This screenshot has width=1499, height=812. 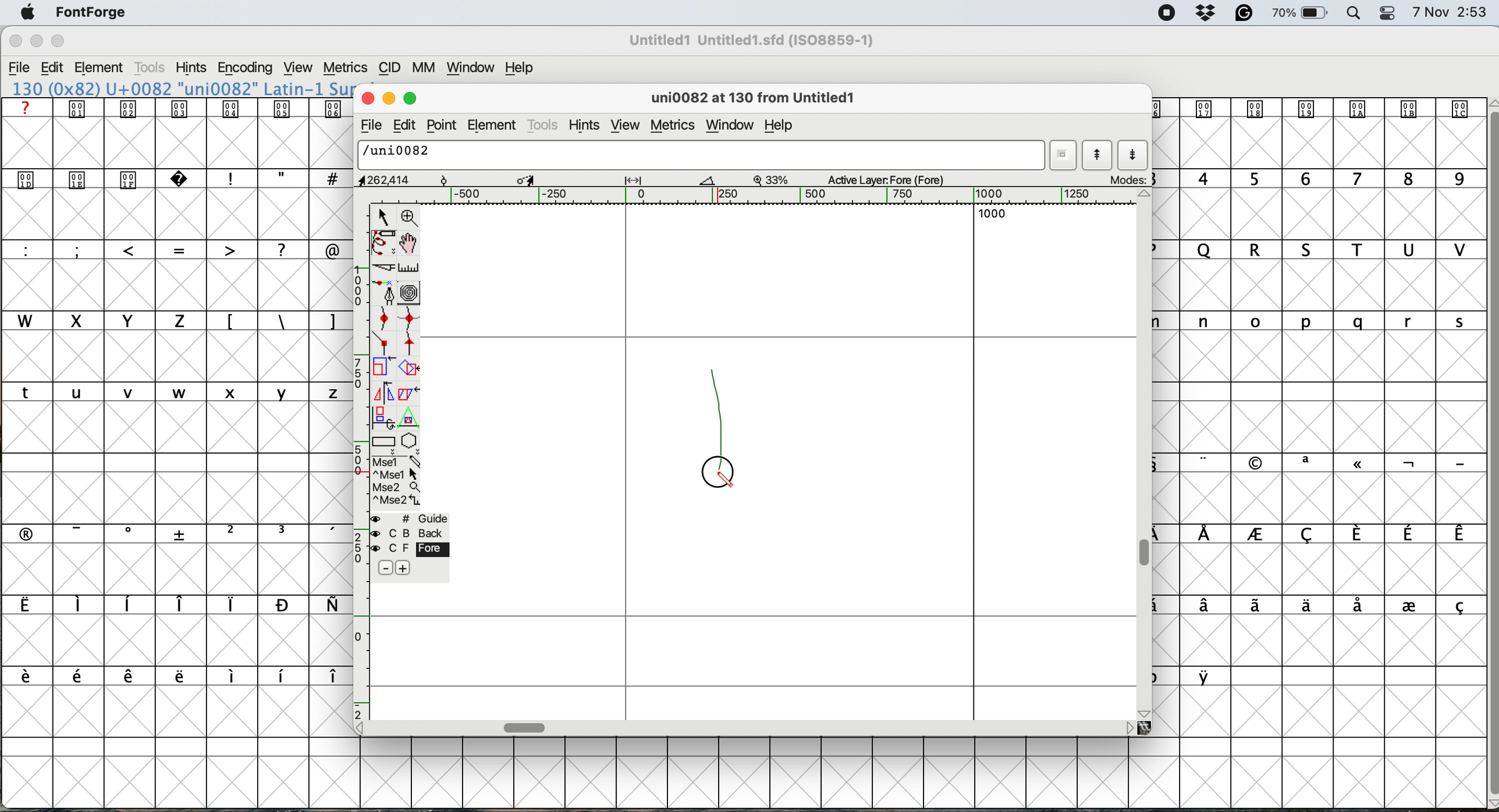 I want to click on battery, so click(x=1302, y=13).